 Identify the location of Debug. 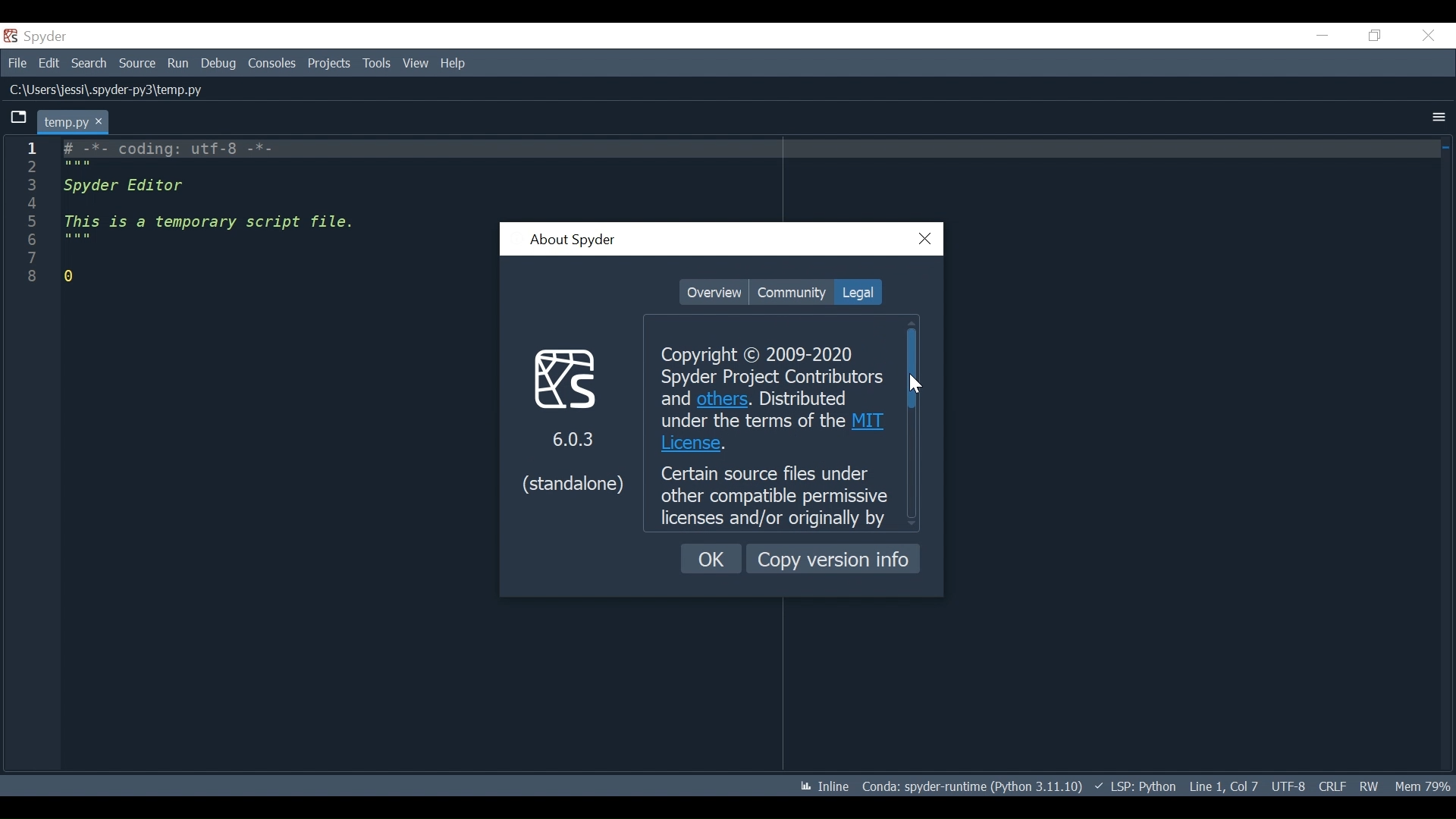
(220, 64).